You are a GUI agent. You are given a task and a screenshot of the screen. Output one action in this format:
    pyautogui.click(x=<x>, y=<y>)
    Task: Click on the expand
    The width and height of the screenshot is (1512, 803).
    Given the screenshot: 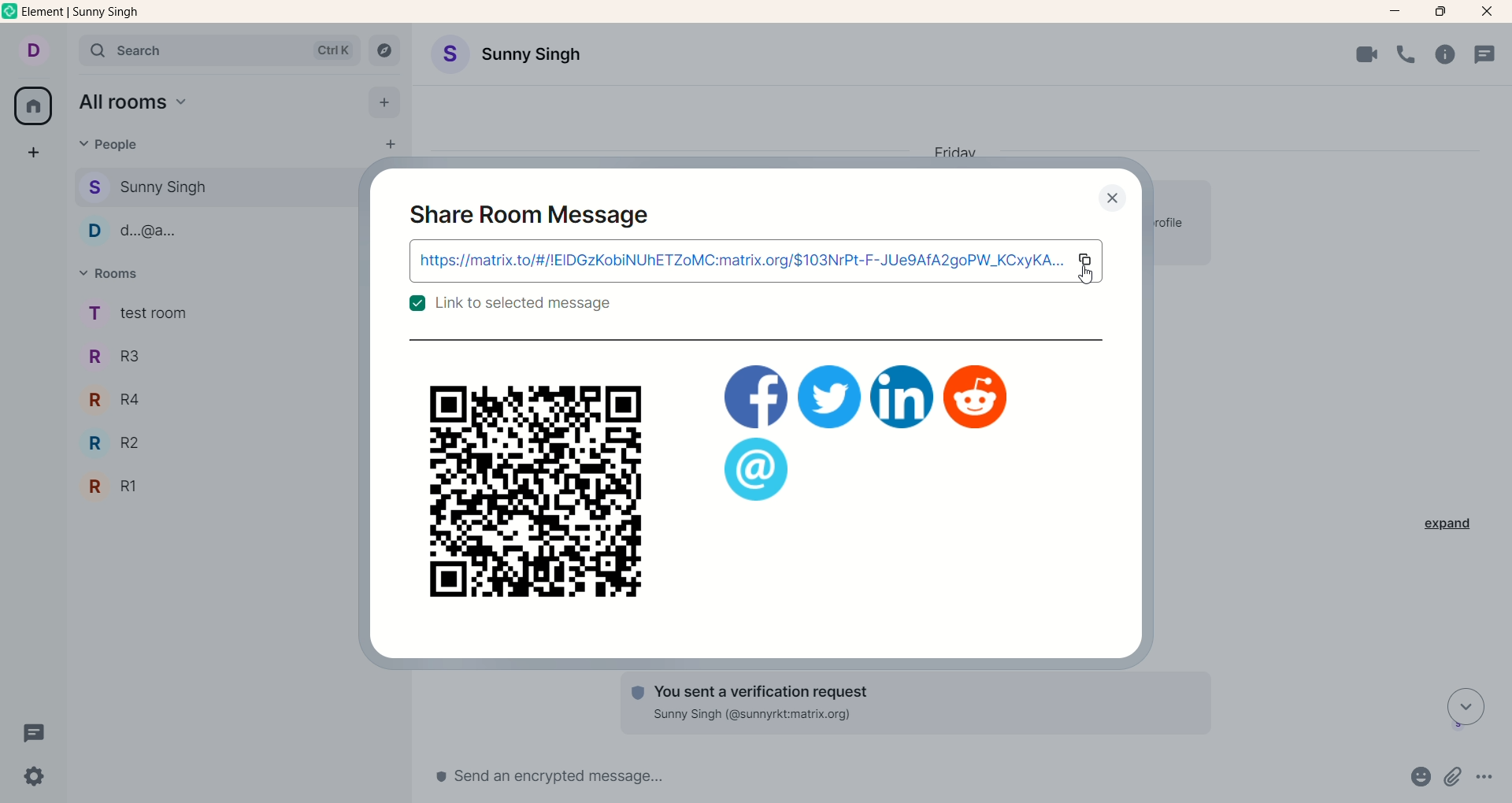 What is the action you would take?
    pyautogui.click(x=1450, y=526)
    